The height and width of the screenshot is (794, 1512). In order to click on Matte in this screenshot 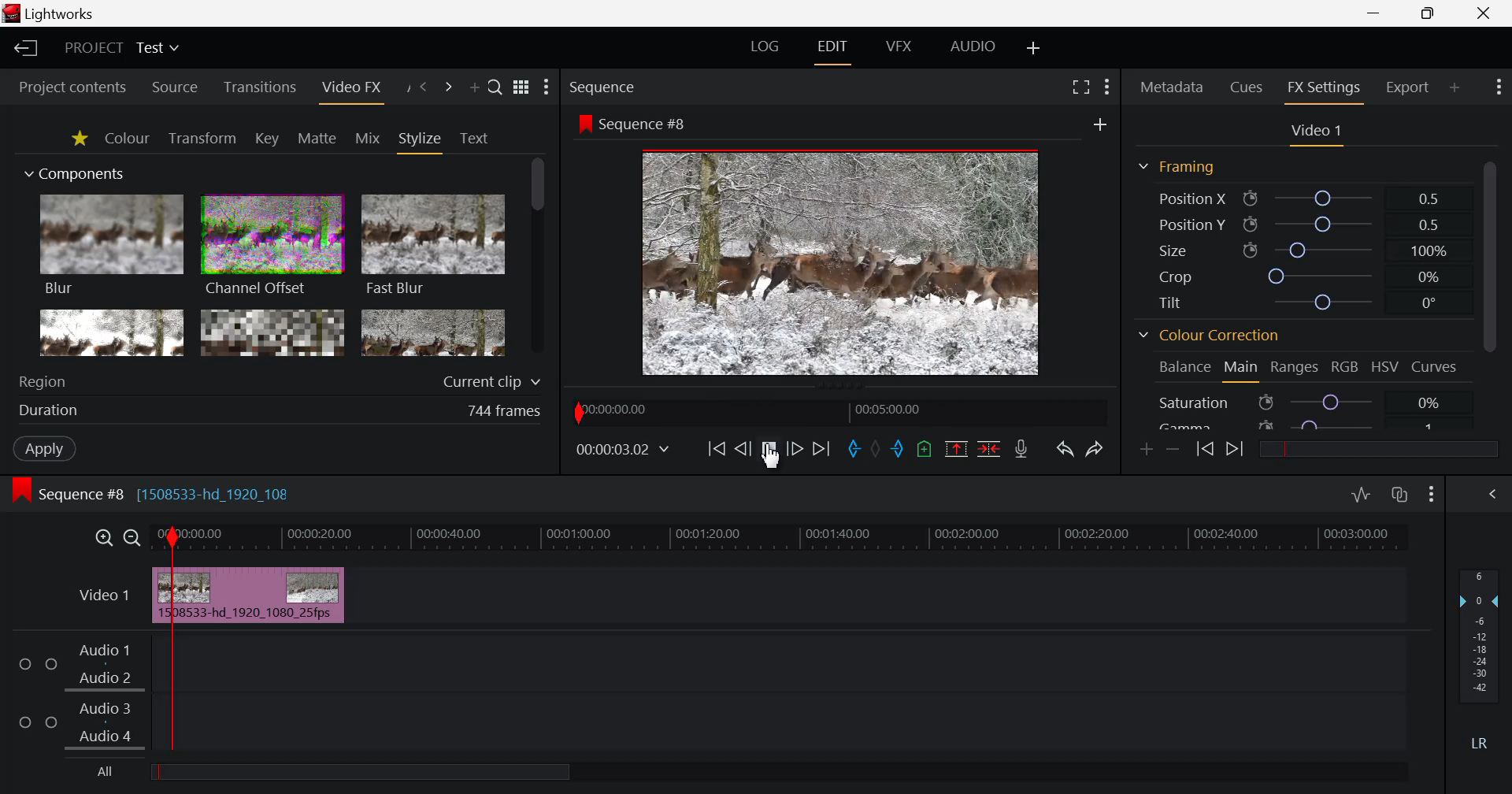, I will do `click(317, 139)`.